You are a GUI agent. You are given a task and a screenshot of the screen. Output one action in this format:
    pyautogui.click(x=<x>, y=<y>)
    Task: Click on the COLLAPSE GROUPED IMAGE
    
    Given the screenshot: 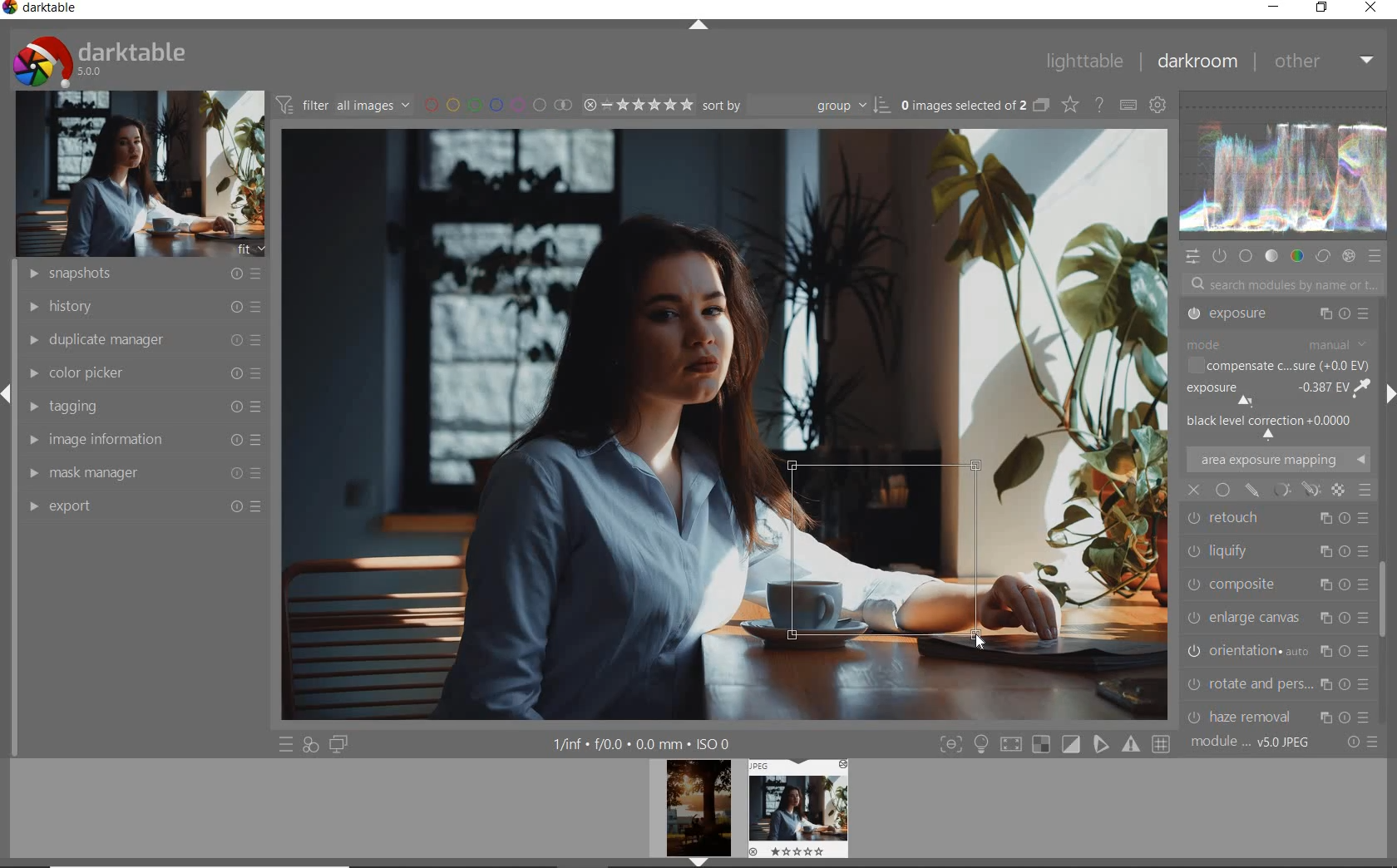 What is the action you would take?
    pyautogui.click(x=1040, y=106)
    